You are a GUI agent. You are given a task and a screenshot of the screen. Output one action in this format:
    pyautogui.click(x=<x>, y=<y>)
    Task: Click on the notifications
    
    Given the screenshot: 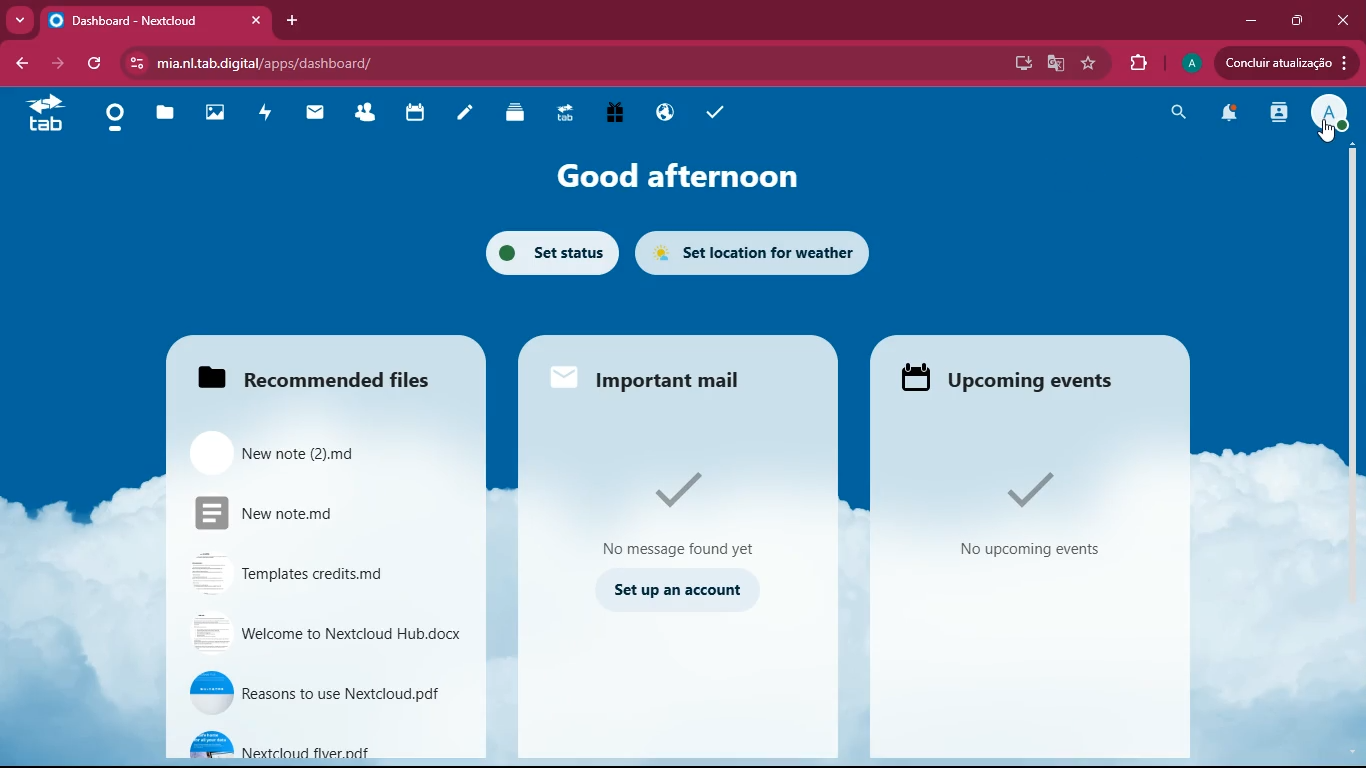 What is the action you would take?
    pyautogui.click(x=1231, y=114)
    